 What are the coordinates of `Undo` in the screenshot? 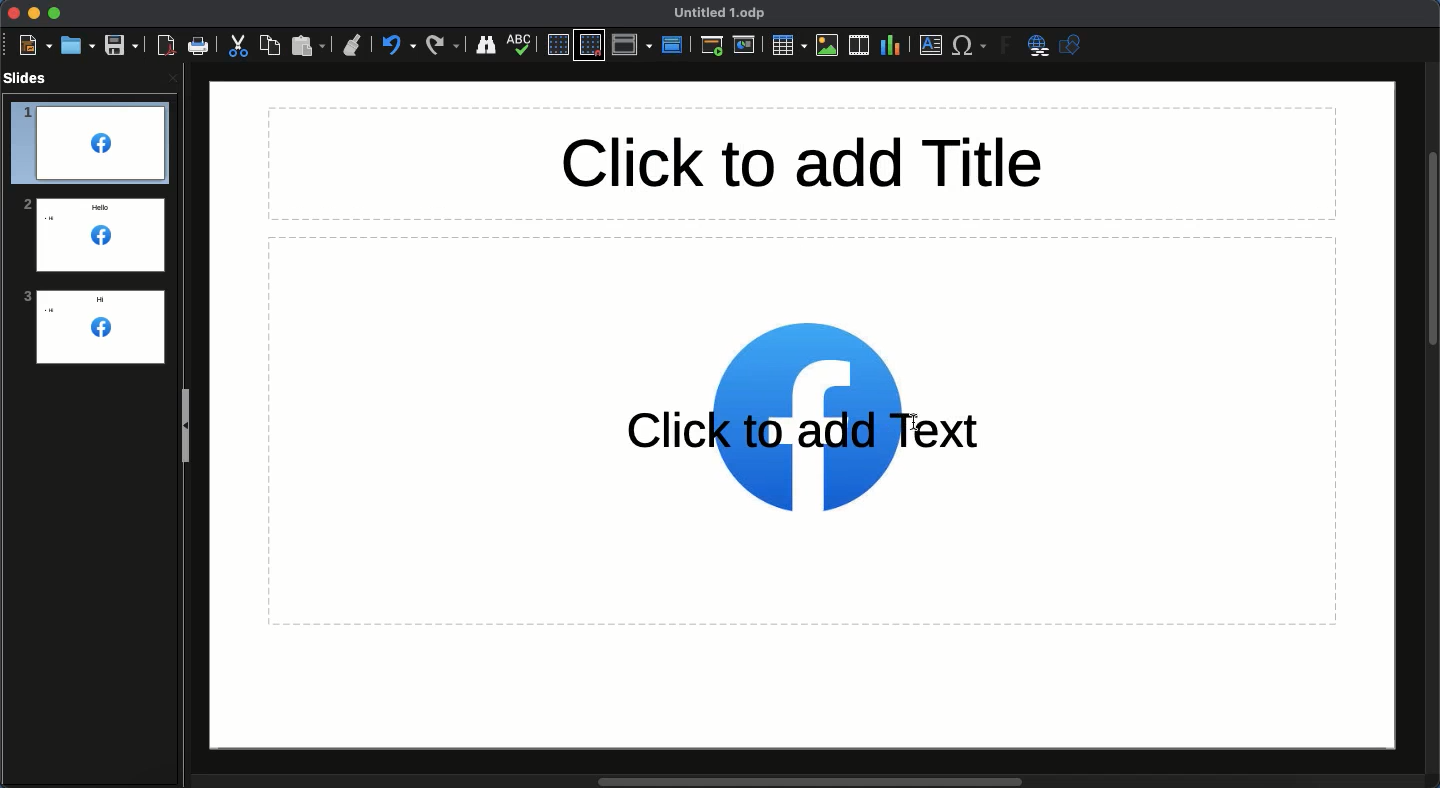 It's located at (399, 45).